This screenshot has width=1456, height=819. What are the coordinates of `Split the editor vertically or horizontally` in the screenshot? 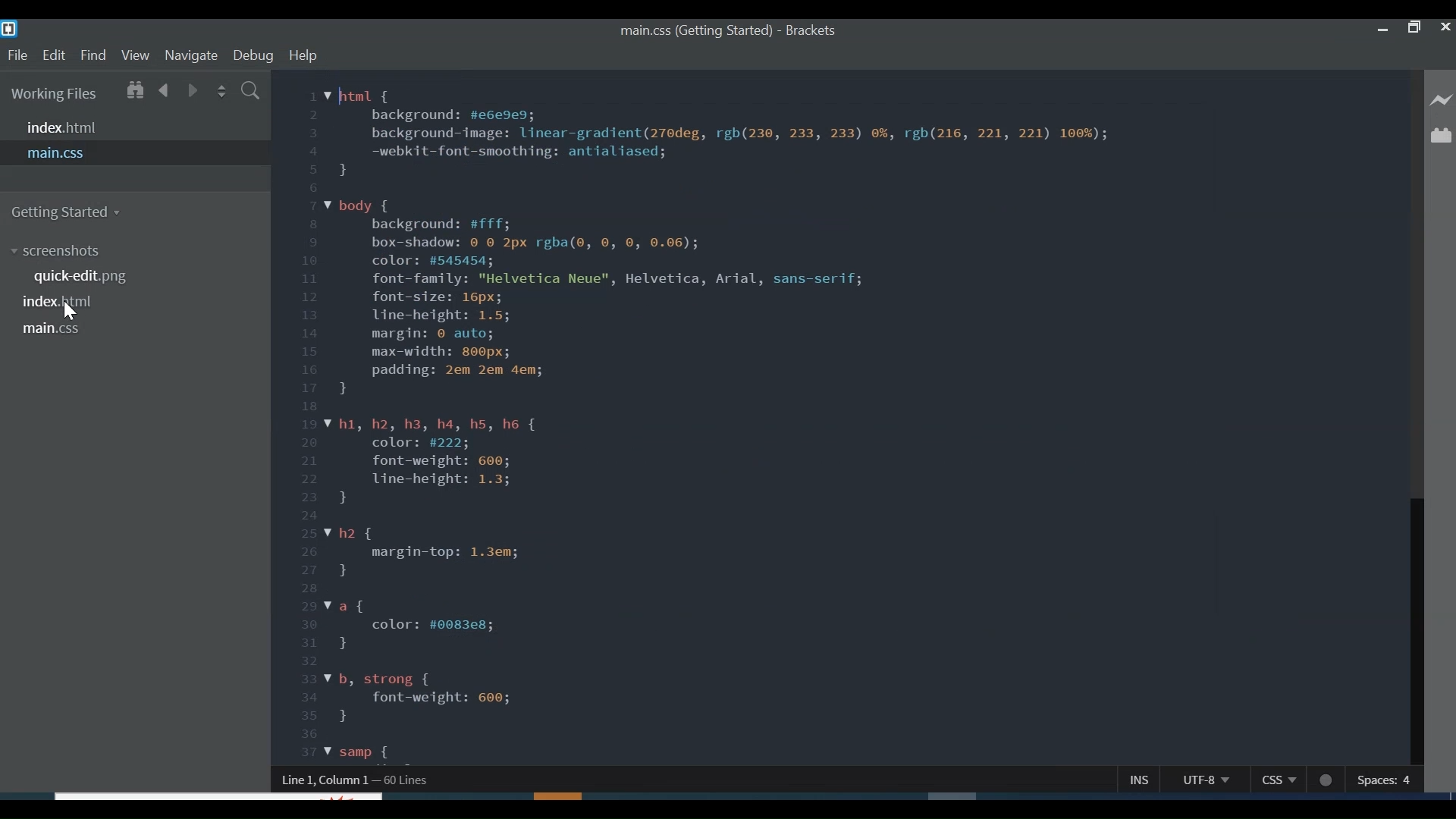 It's located at (220, 93).